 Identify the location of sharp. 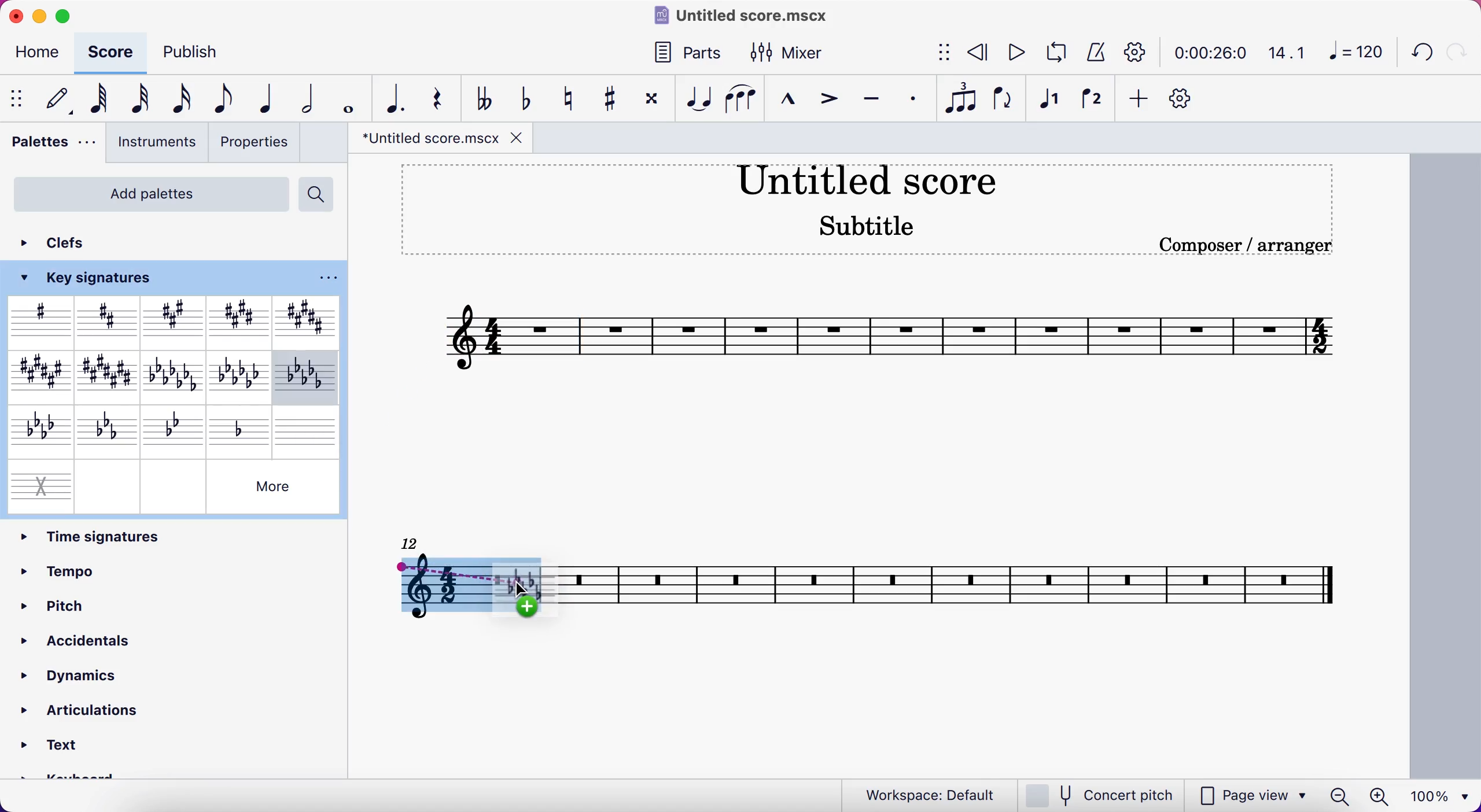
(39, 320).